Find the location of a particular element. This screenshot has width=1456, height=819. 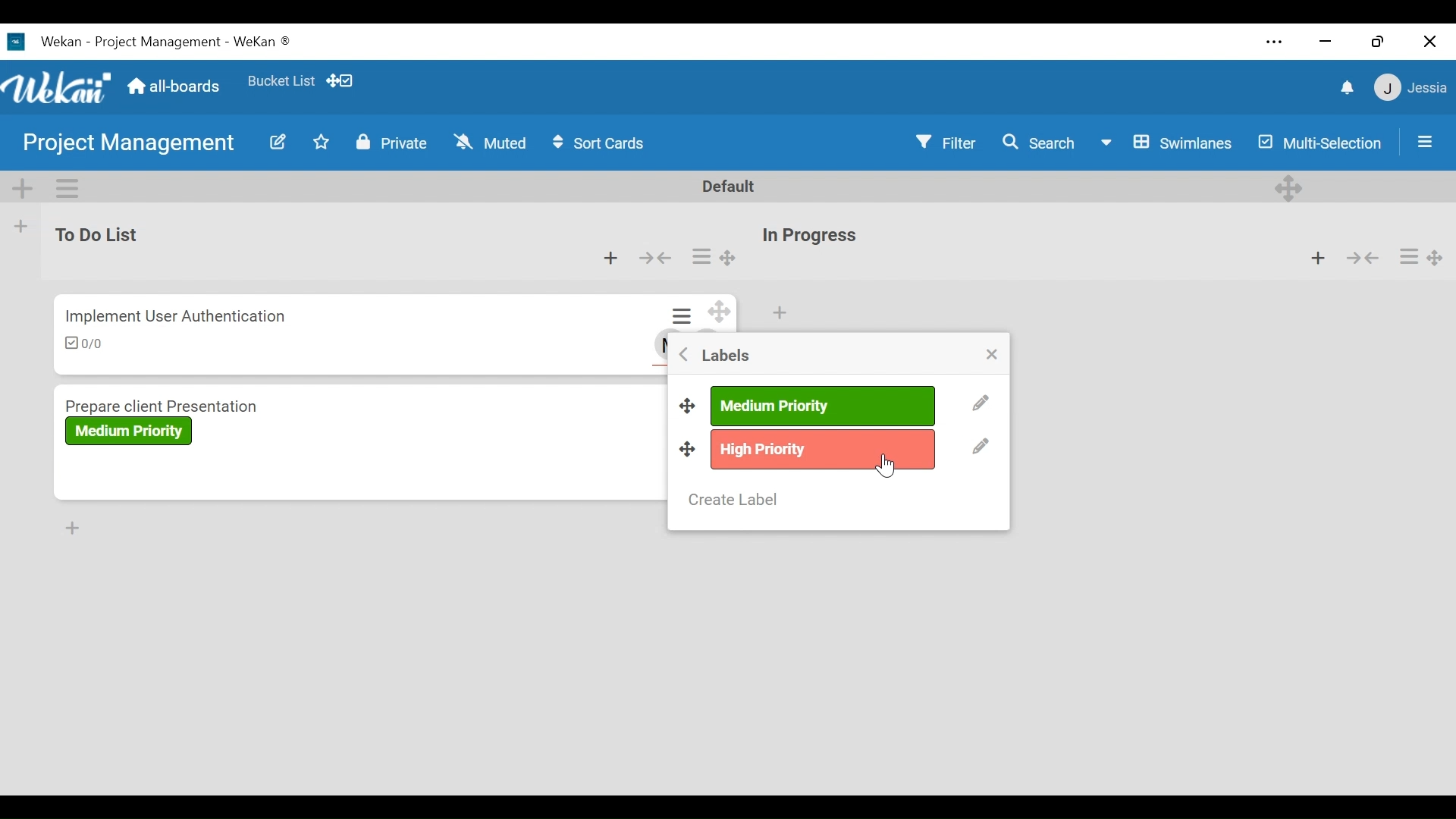

Labels is located at coordinates (727, 356).